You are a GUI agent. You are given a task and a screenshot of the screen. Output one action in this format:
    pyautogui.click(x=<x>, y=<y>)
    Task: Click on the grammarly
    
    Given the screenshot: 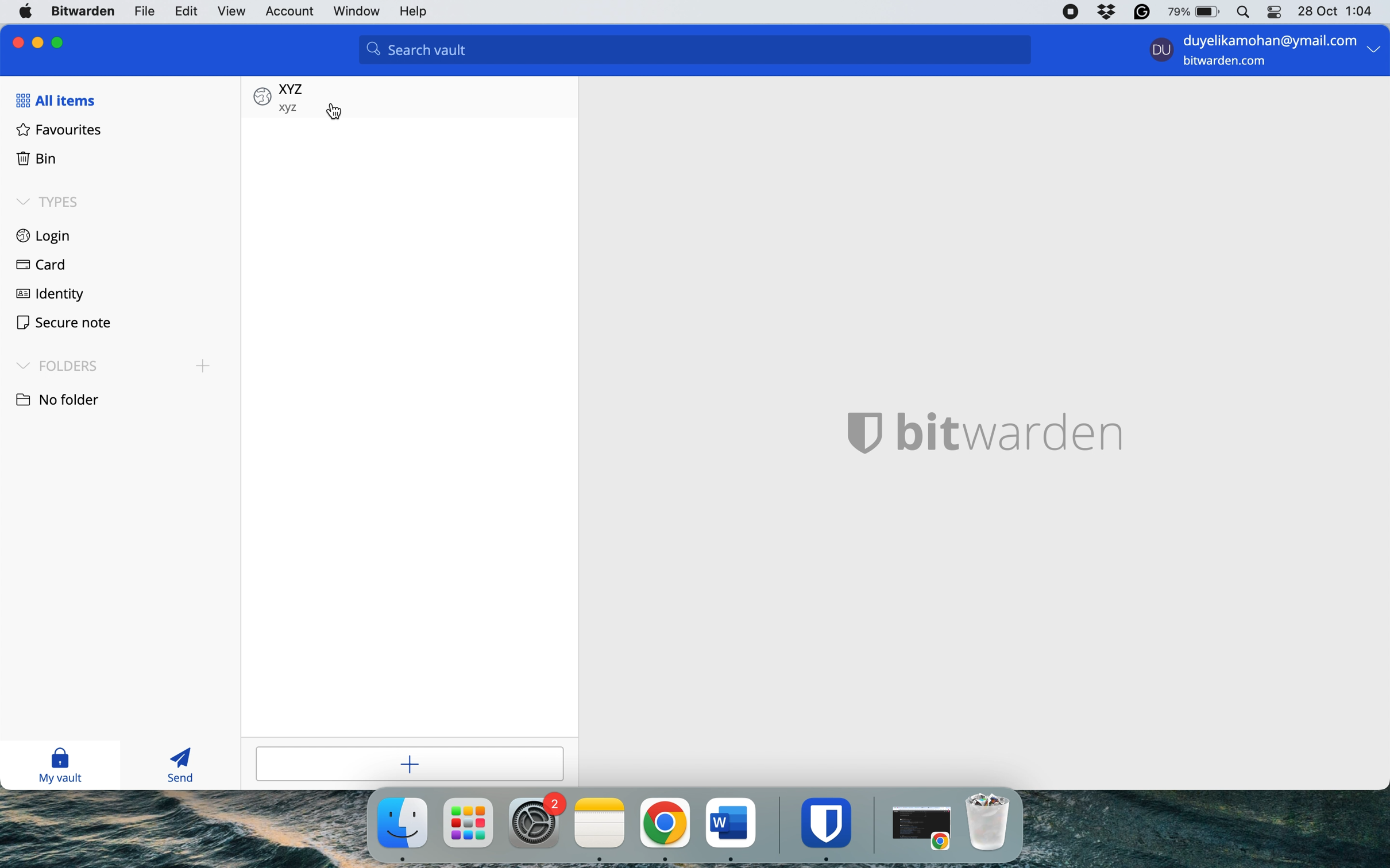 What is the action you would take?
    pyautogui.click(x=1140, y=12)
    